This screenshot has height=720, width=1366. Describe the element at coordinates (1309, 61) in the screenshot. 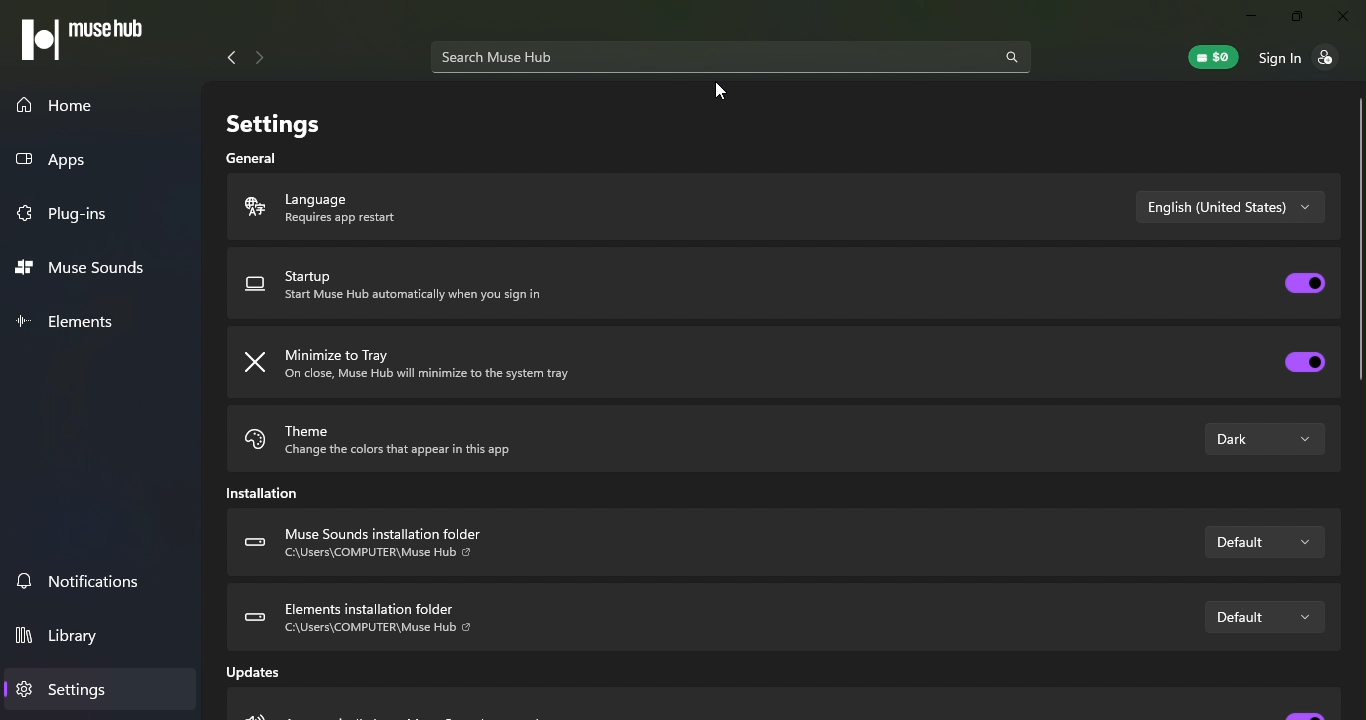

I see `Sign in` at that location.